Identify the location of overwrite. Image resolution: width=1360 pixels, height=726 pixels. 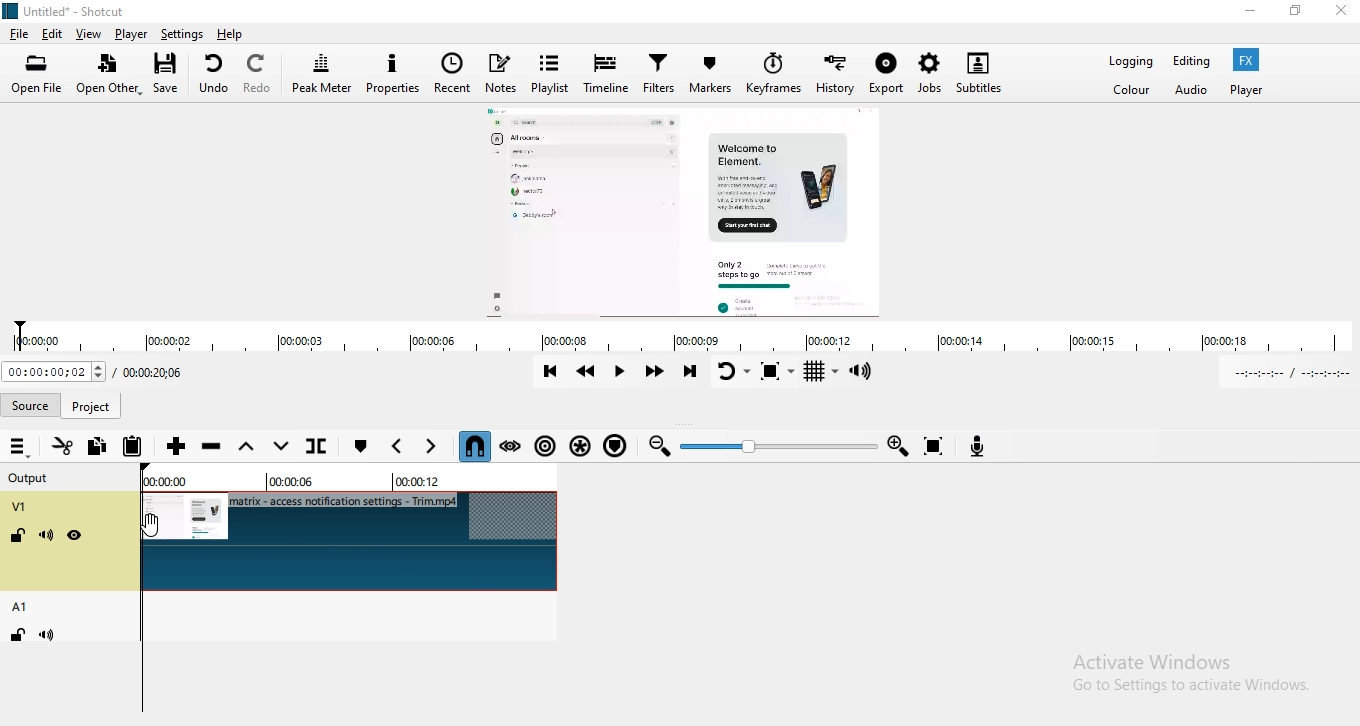
(283, 446).